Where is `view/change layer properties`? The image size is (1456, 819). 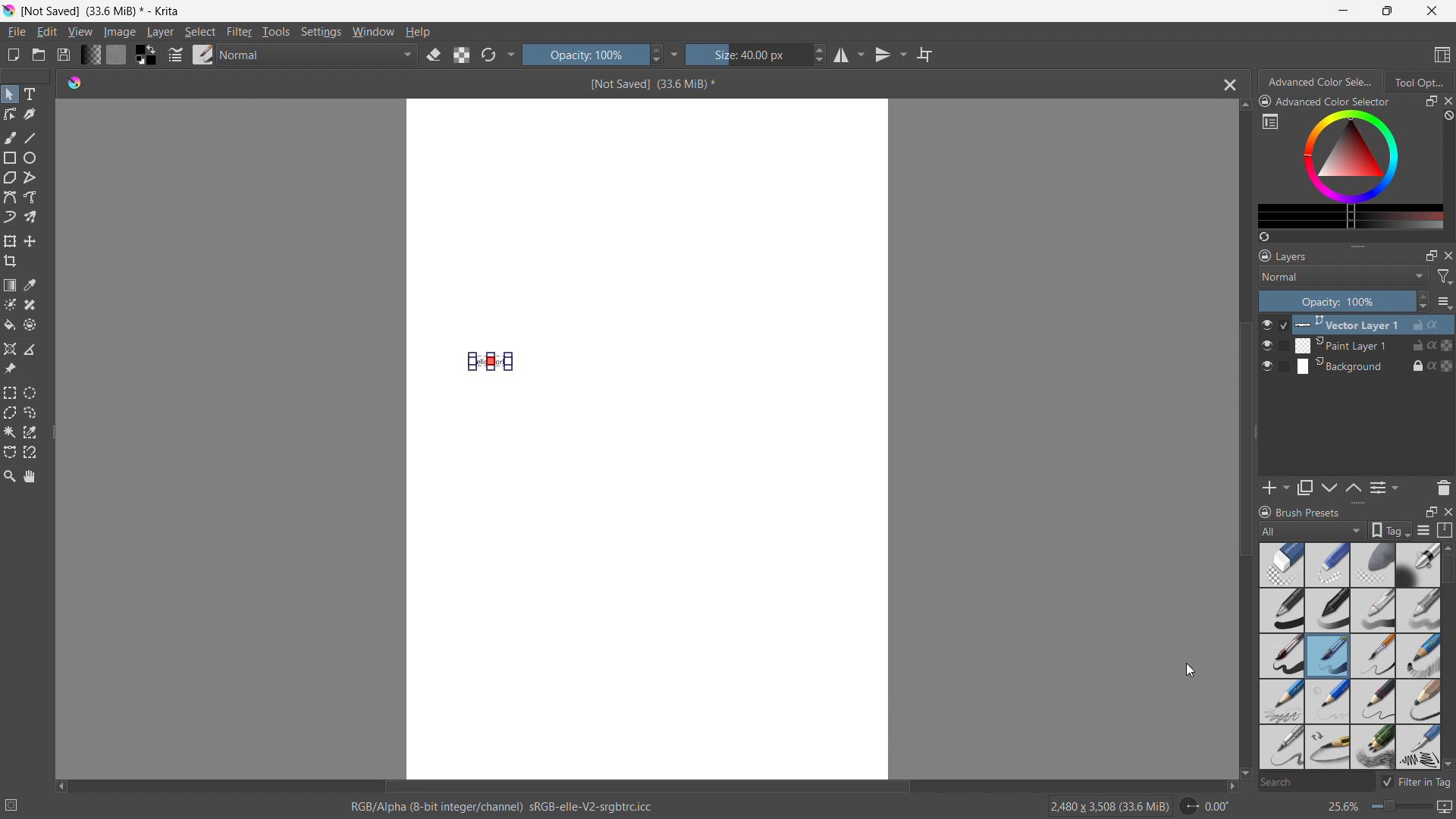 view/change layer properties is located at coordinates (1383, 487).